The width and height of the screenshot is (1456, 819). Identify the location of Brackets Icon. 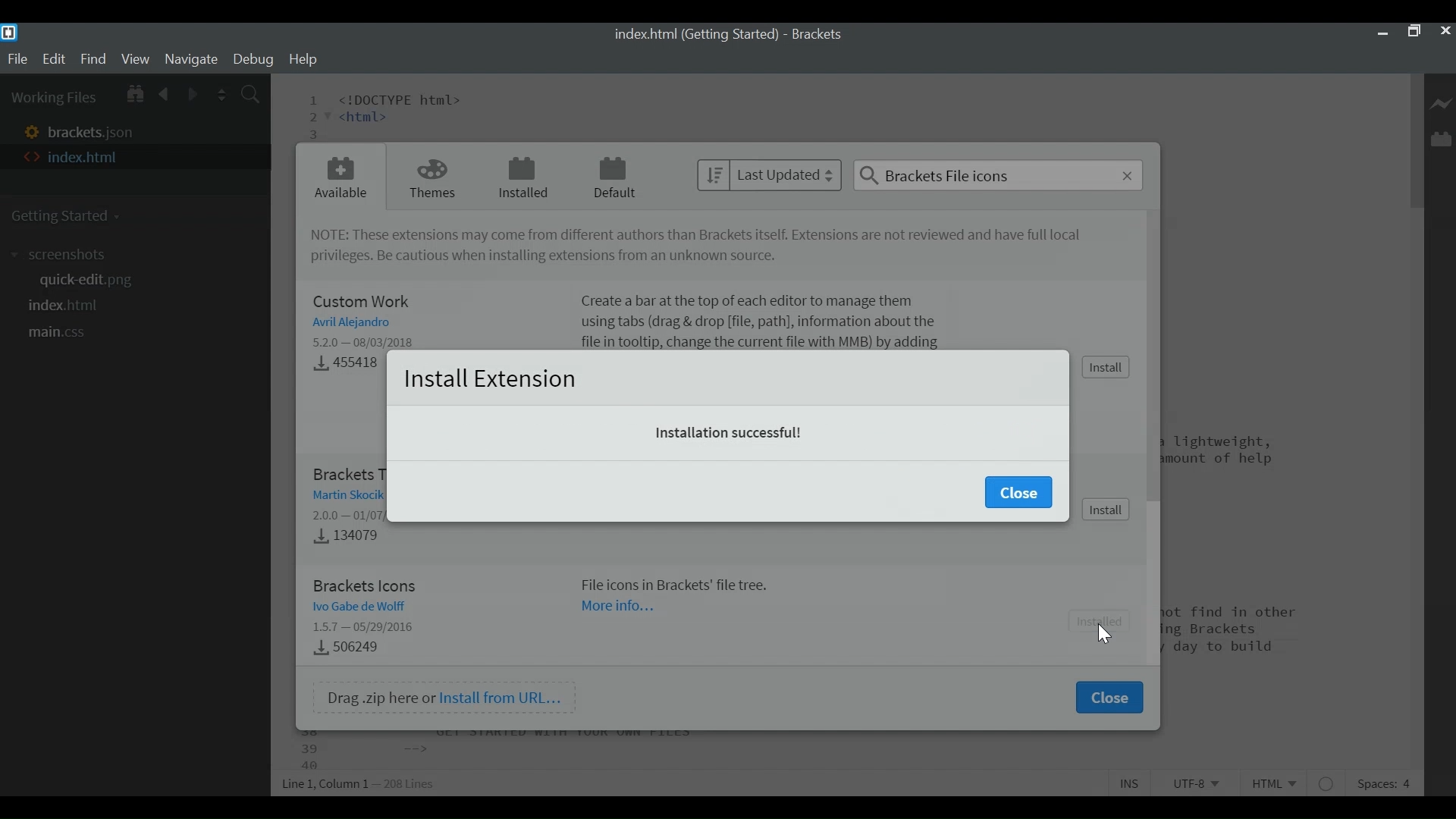
(371, 583).